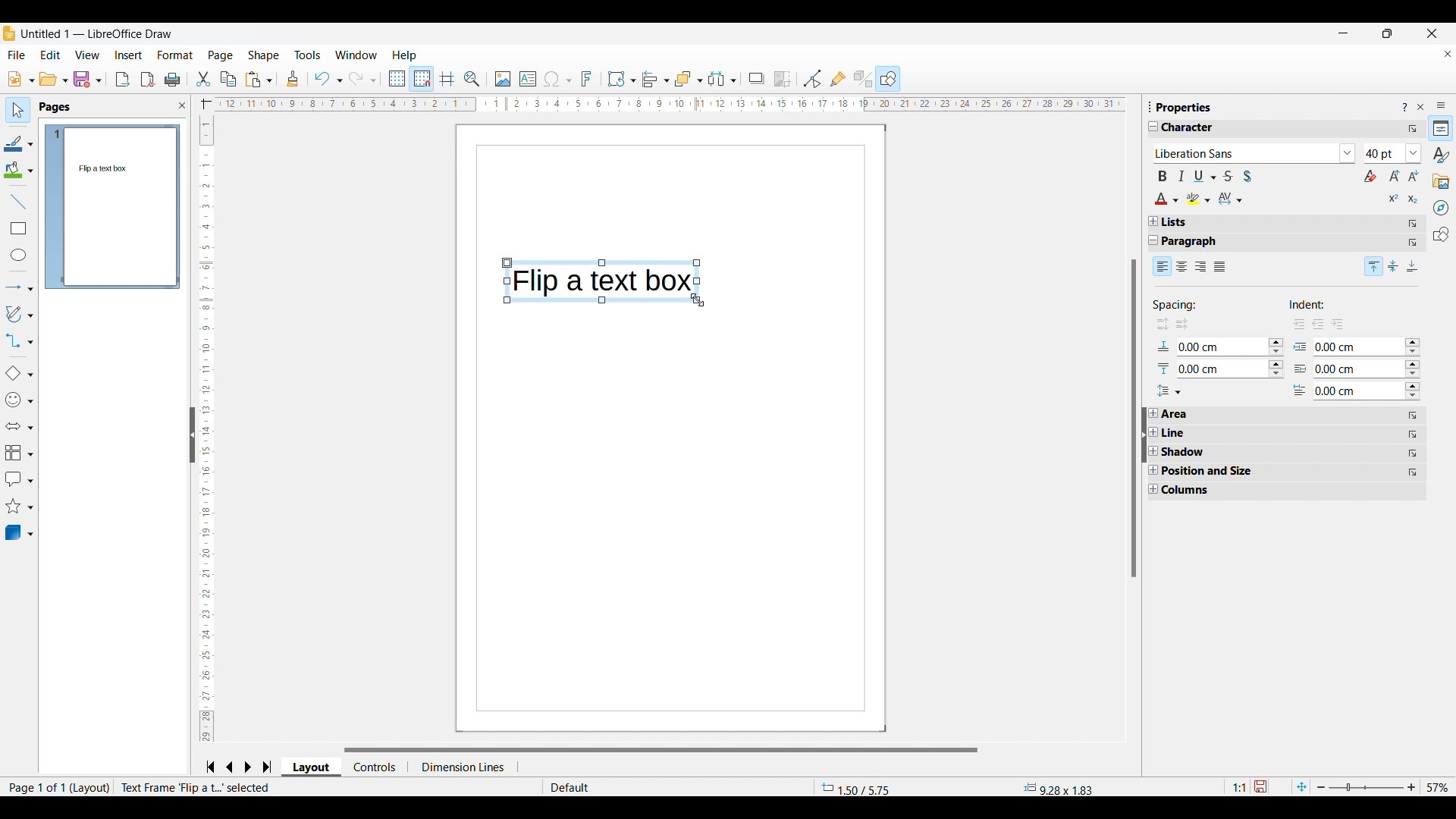  I want to click on Cut, so click(204, 80).